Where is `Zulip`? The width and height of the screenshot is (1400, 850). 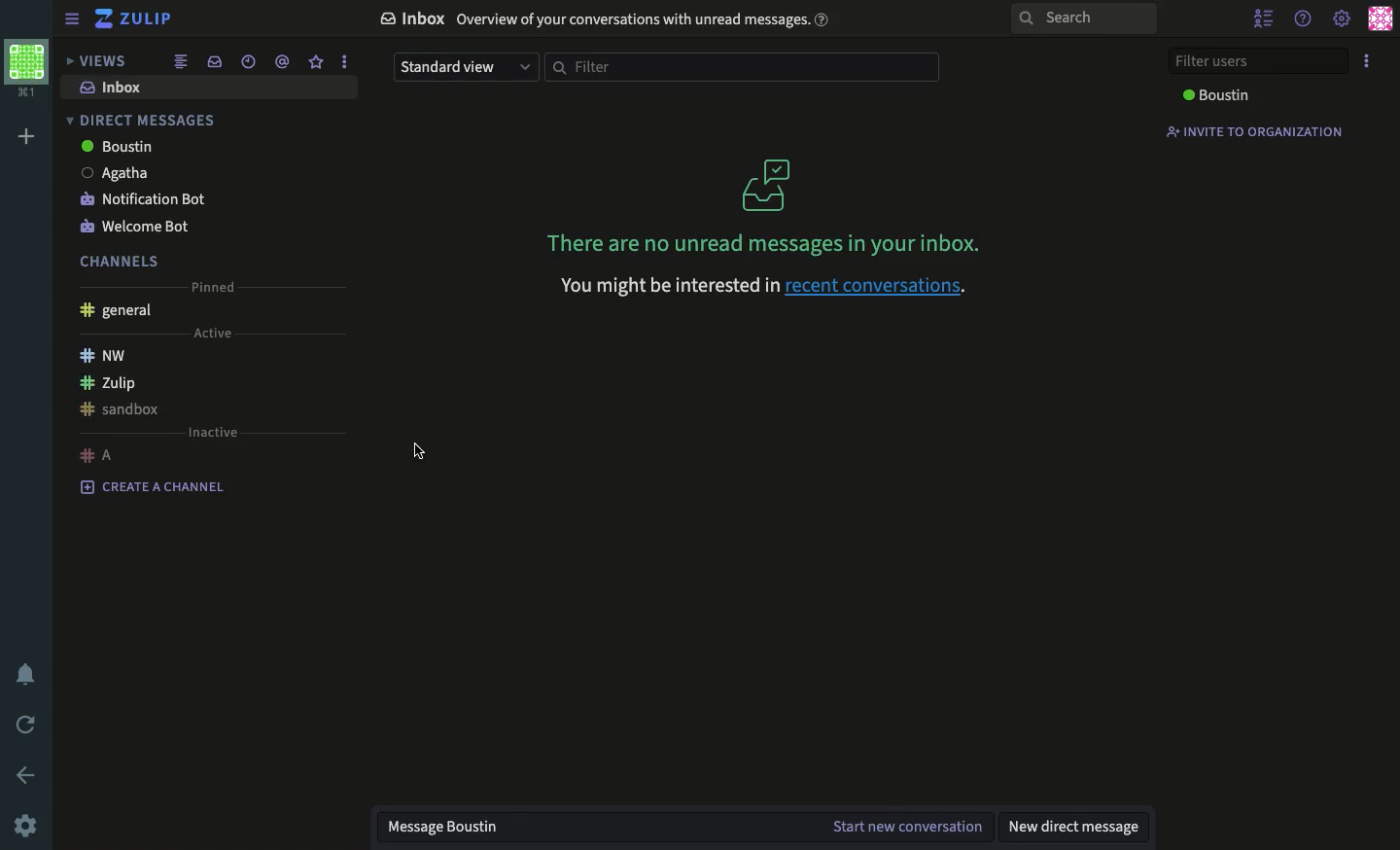
Zulip is located at coordinates (133, 18).